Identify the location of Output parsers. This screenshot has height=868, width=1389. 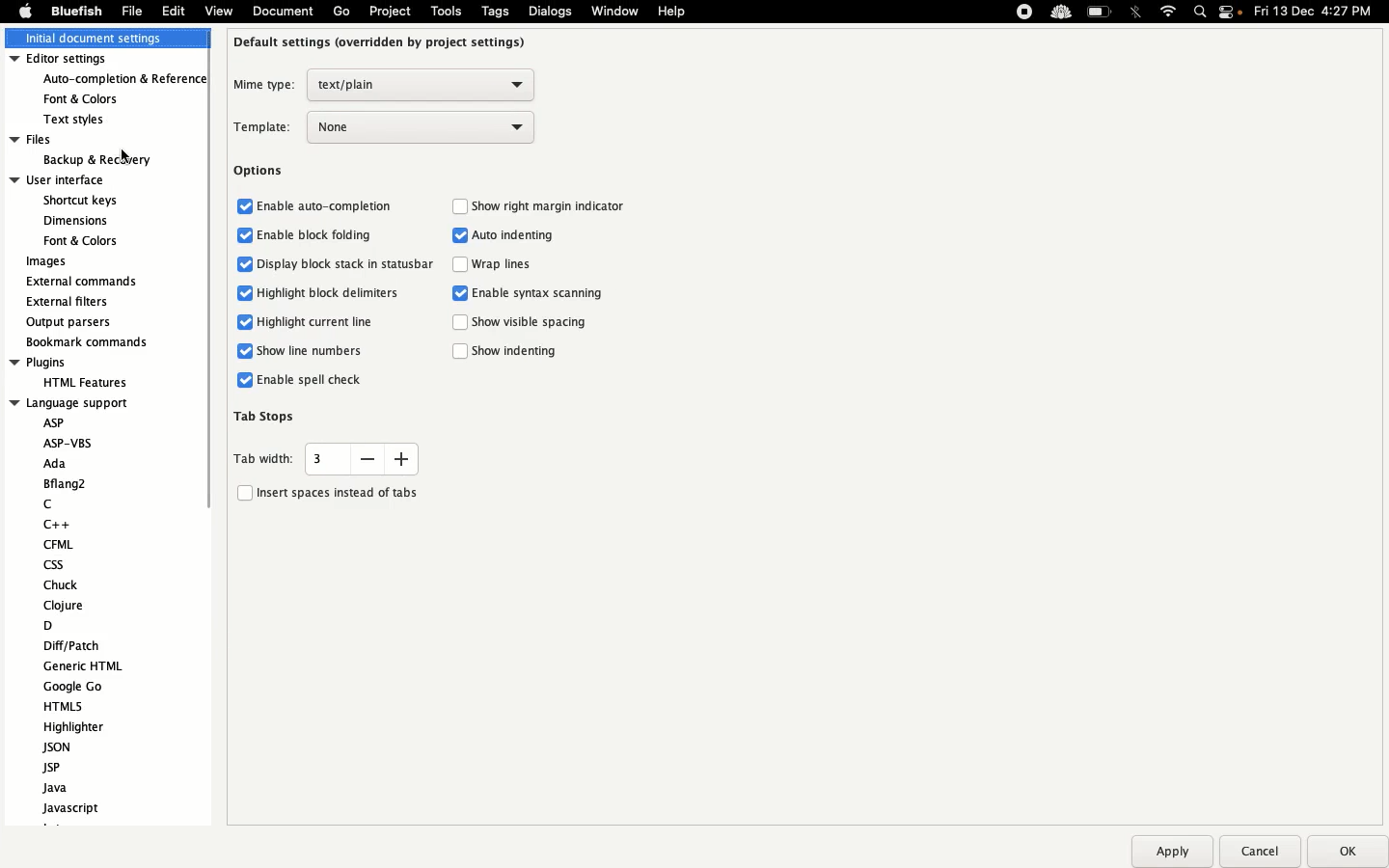
(70, 324).